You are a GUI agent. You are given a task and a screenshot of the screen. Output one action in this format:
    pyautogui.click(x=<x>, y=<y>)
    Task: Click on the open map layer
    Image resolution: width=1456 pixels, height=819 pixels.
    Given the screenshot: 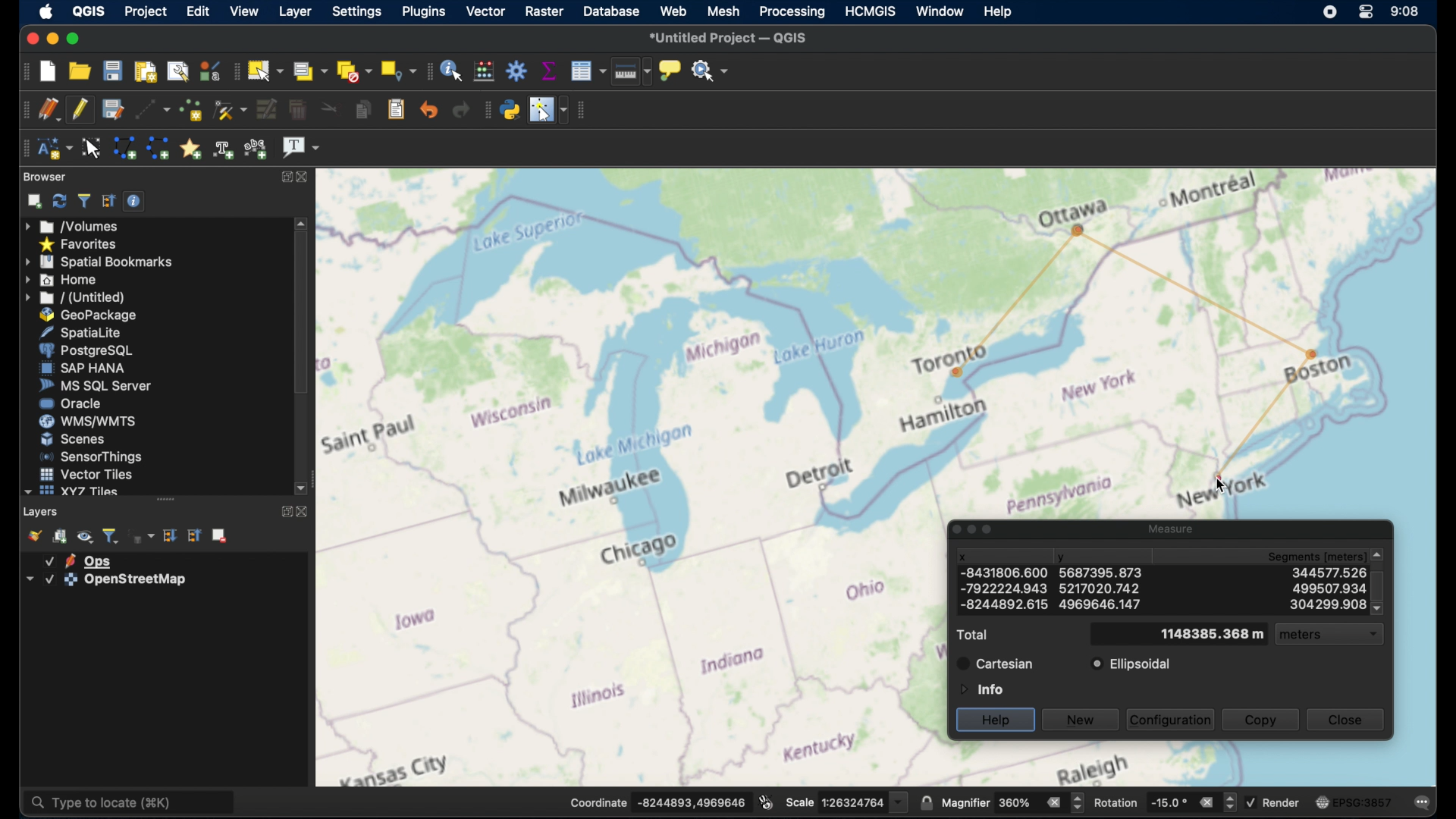 What is the action you would take?
    pyautogui.click(x=31, y=535)
    